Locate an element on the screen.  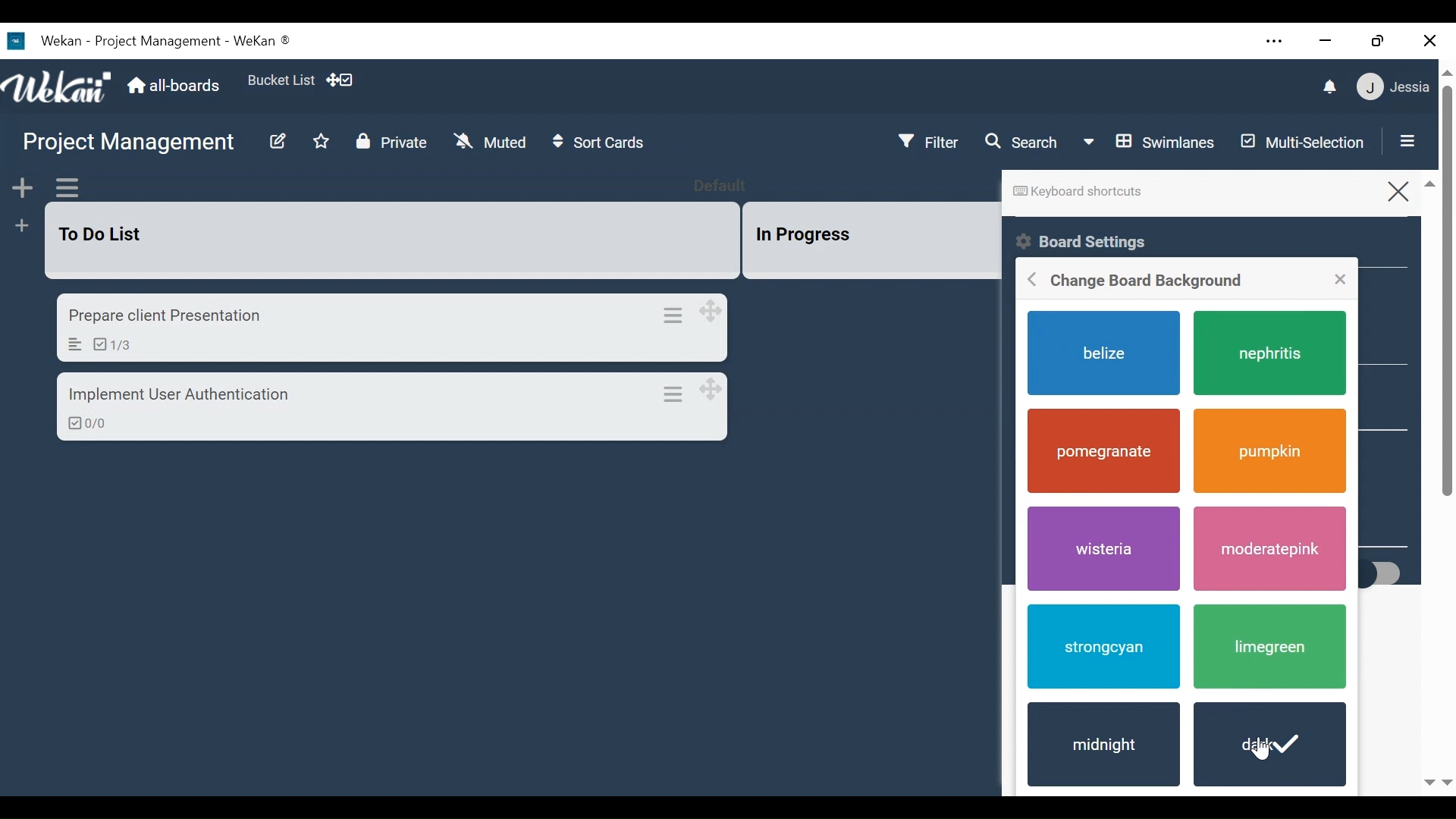
close is located at coordinates (1328, 41).